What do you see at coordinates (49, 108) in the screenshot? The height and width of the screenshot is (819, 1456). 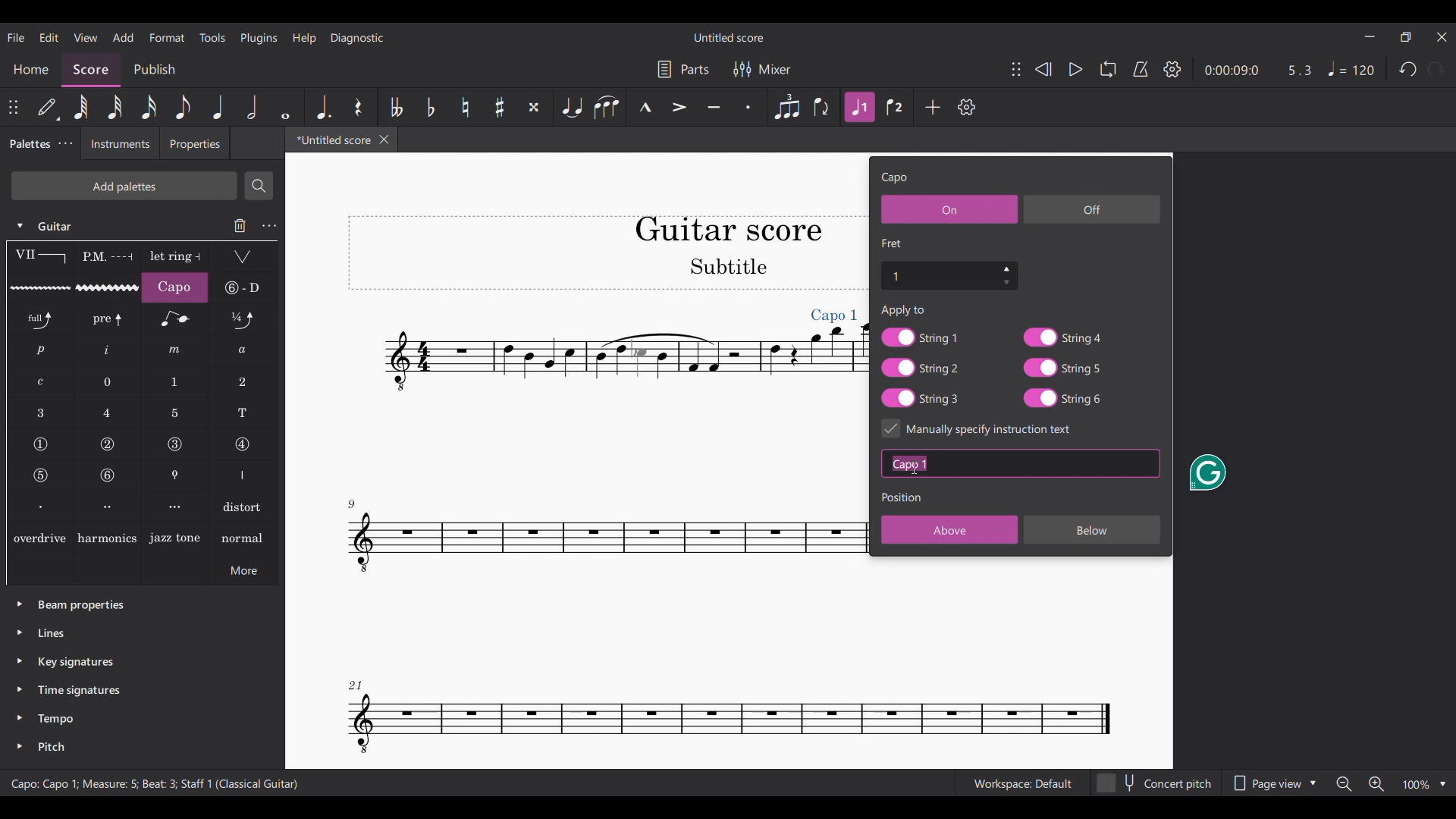 I see `Default` at bounding box center [49, 108].